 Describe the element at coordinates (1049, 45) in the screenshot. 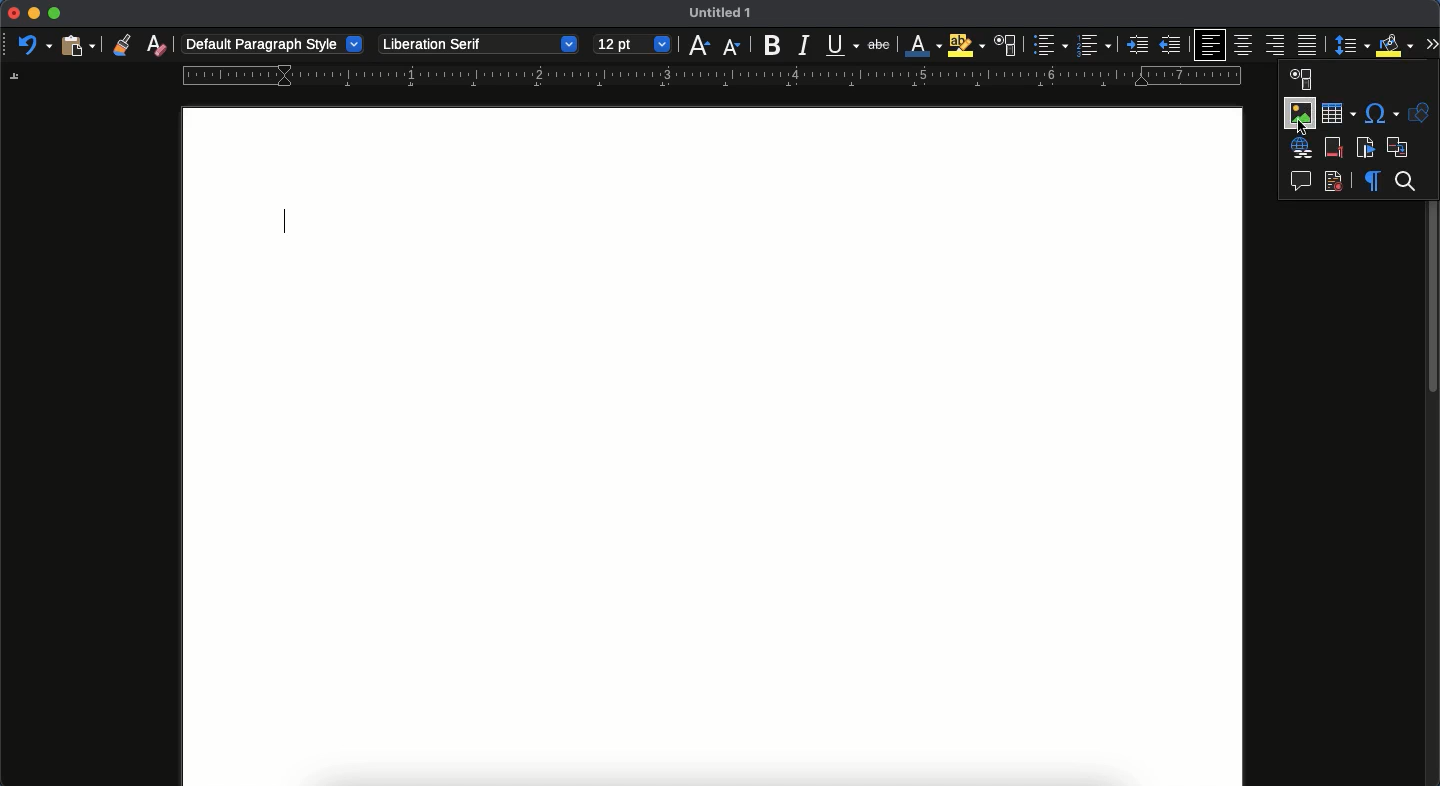

I see `bullet` at that location.